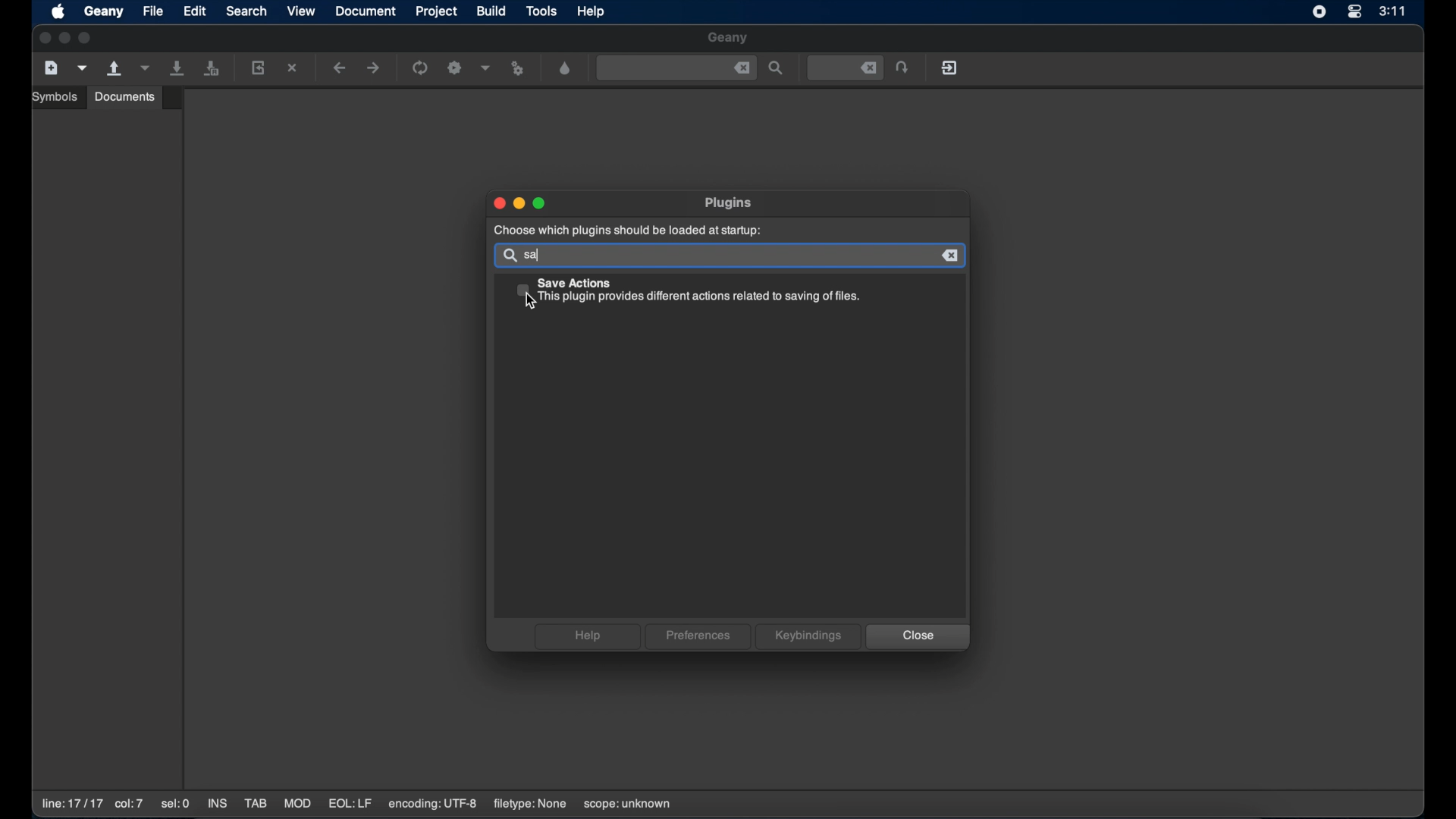 This screenshot has width=1456, height=819. Describe the element at coordinates (777, 69) in the screenshot. I see `find the entered text in the file` at that location.